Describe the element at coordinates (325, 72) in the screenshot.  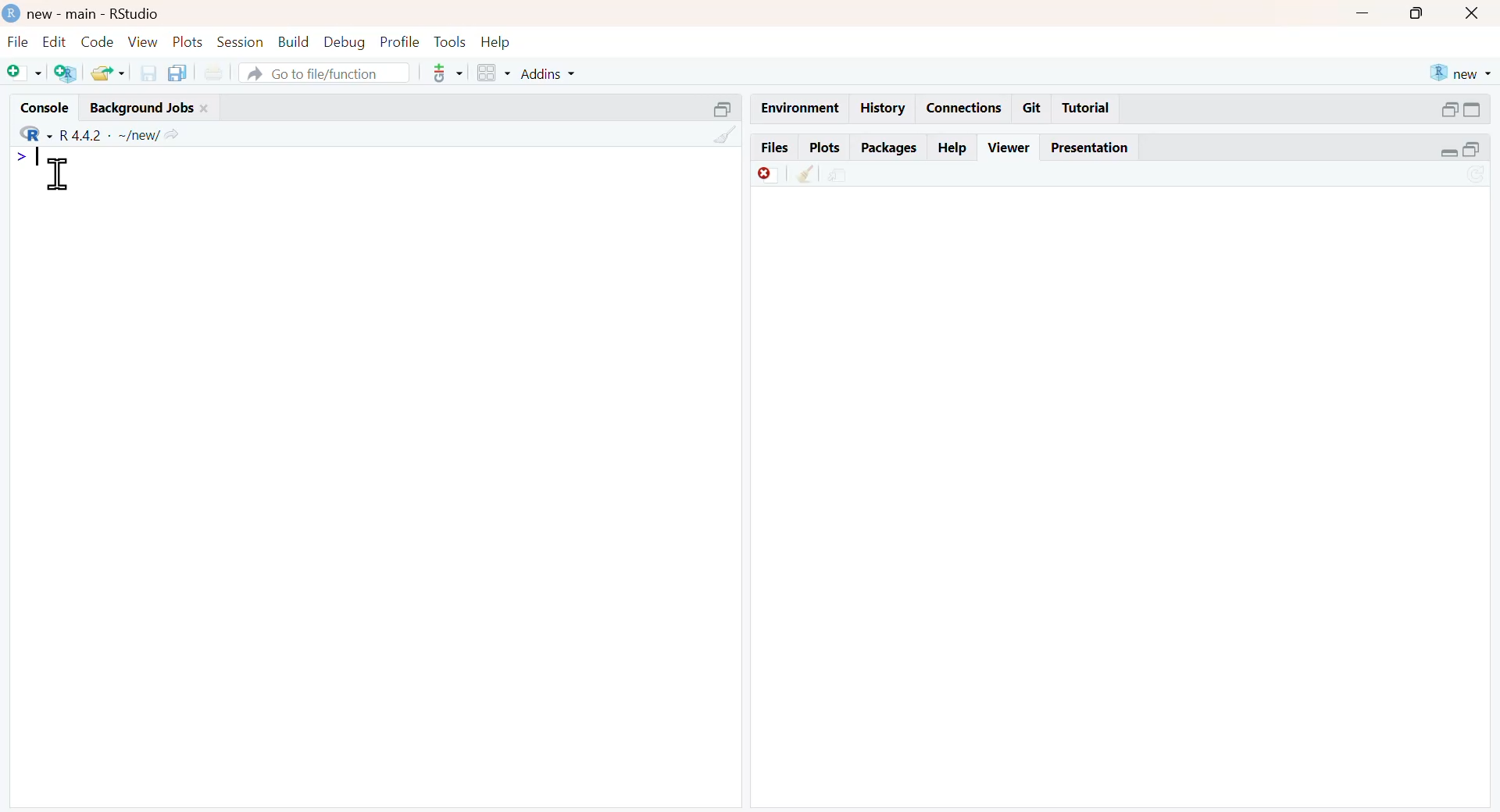
I see `go to file/function` at that location.